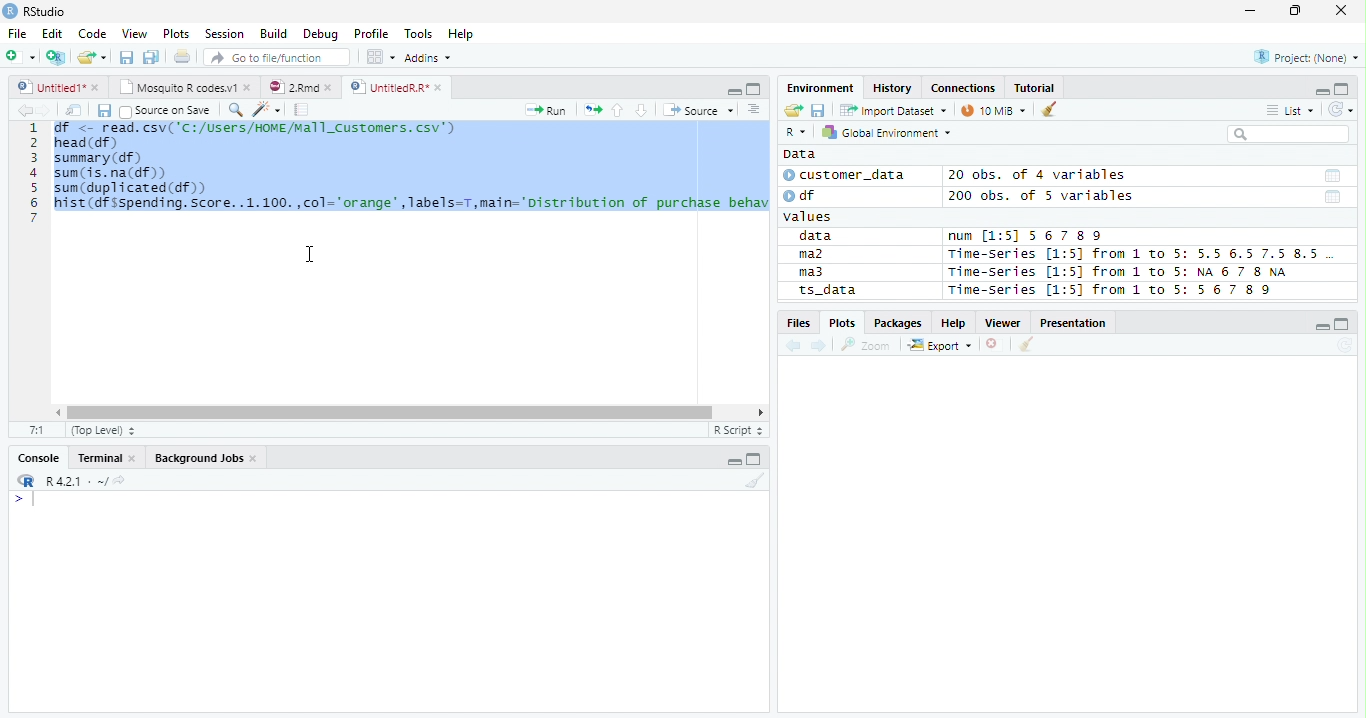 The height and width of the screenshot is (718, 1366). Describe the element at coordinates (842, 322) in the screenshot. I see `Plots` at that location.